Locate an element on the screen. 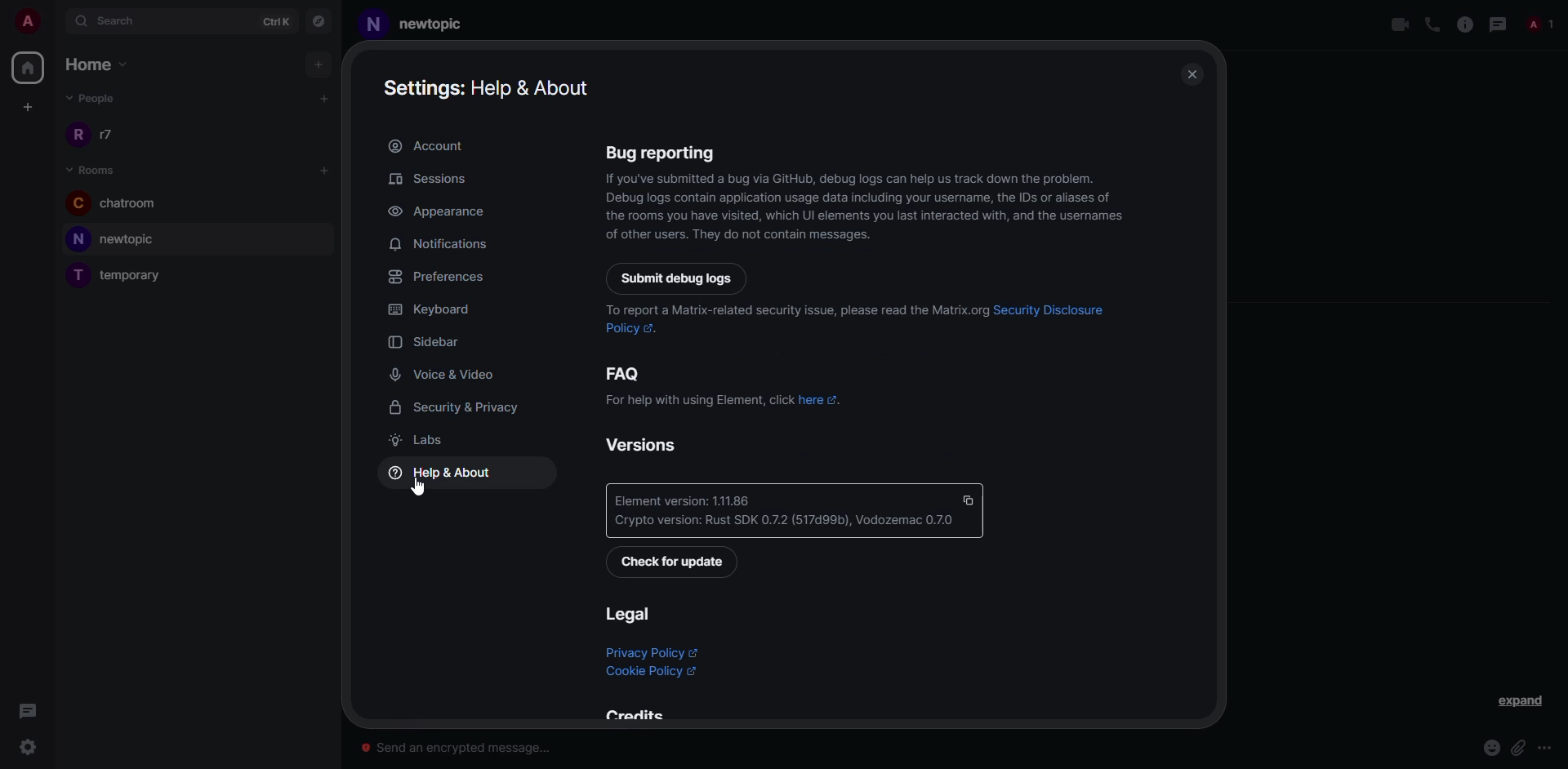  room is located at coordinates (423, 24).